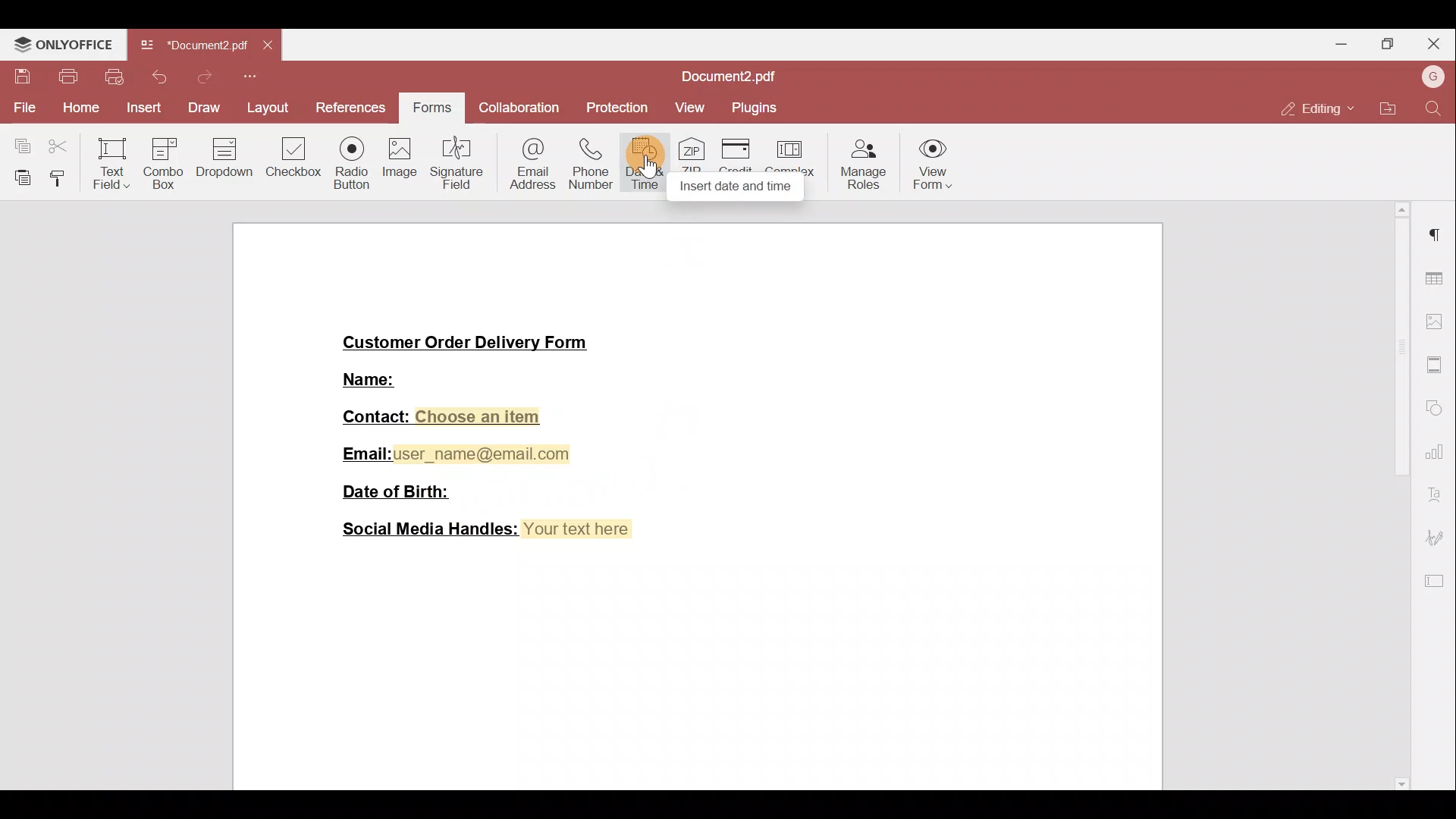 The image size is (1456, 819). Describe the element at coordinates (61, 176) in the screenshot. I see `Copy style` at that location.